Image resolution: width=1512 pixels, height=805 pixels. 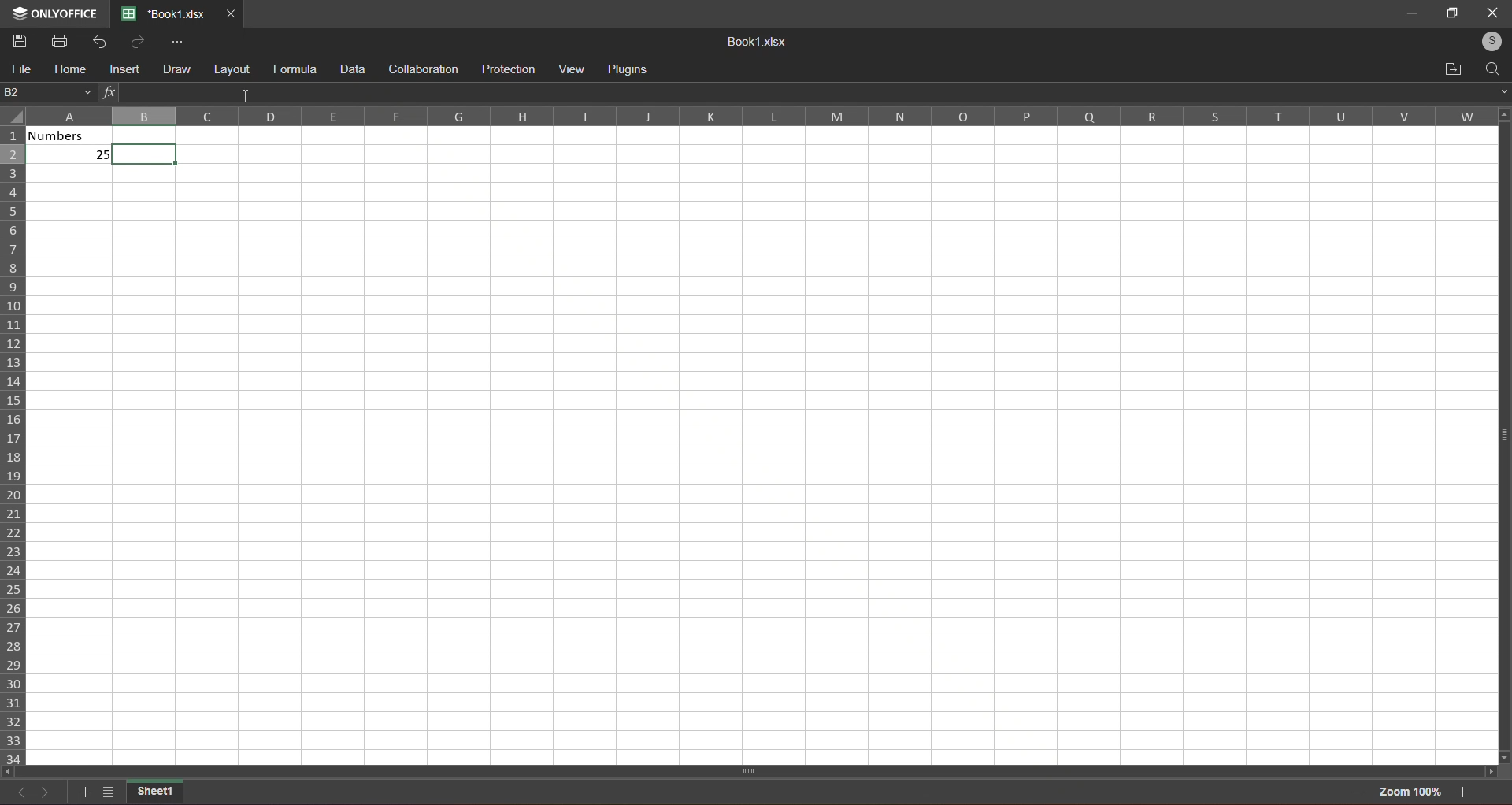 I want to click on Horizontal scroll bar, so click(x=750, y=770).